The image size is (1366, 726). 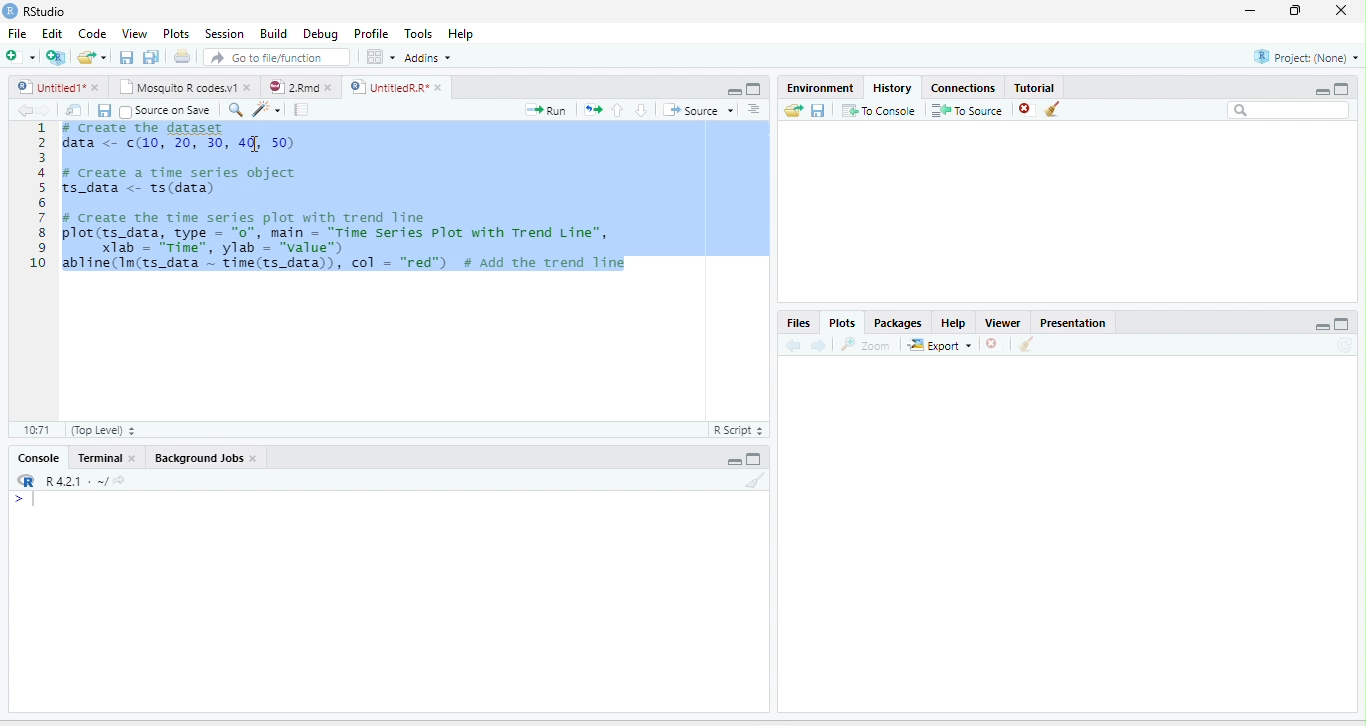 I want to click on To Source, so click(x=966, y=110).